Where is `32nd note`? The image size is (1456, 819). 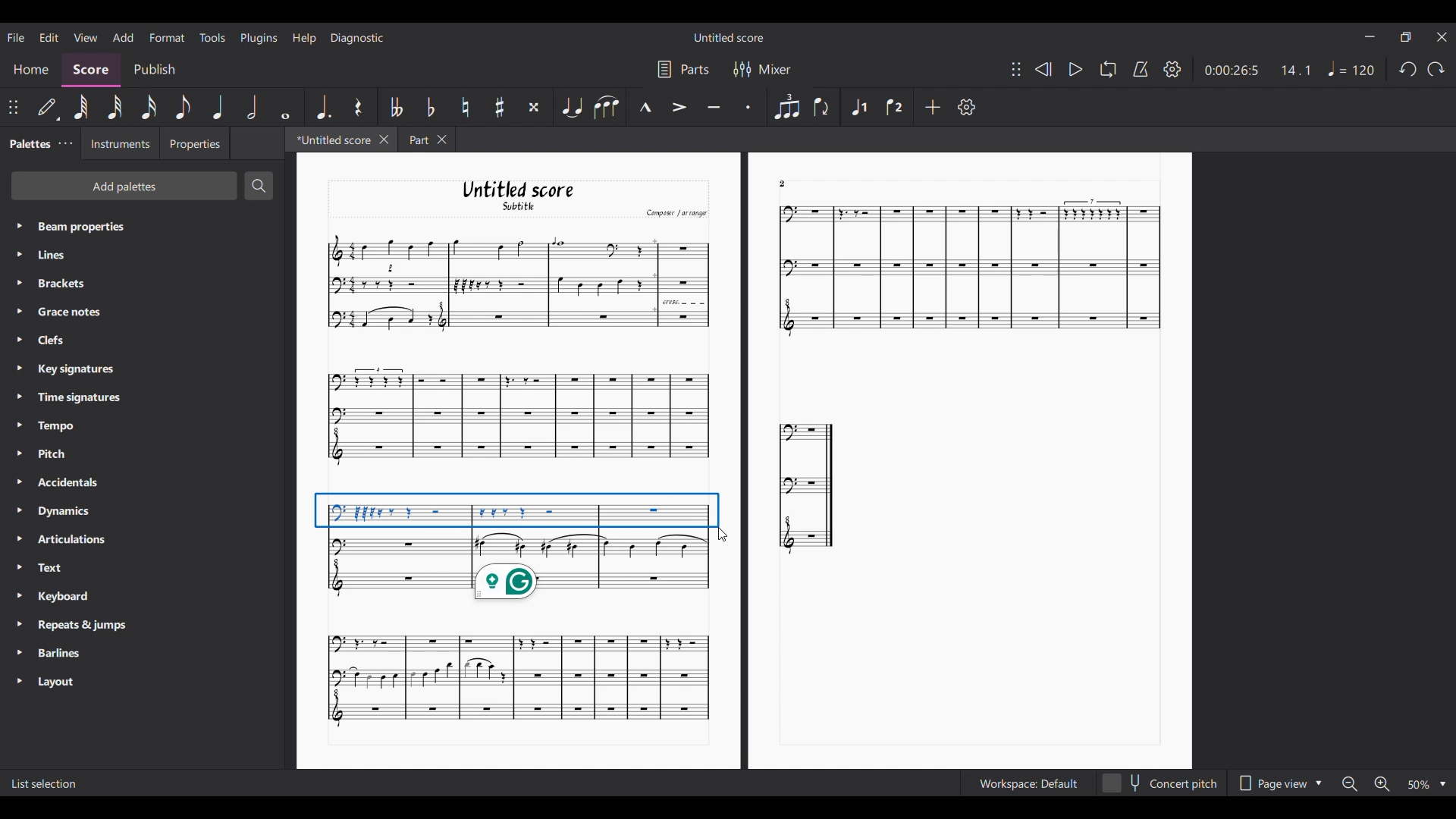
32nd note is located at coordinates (115, 107).